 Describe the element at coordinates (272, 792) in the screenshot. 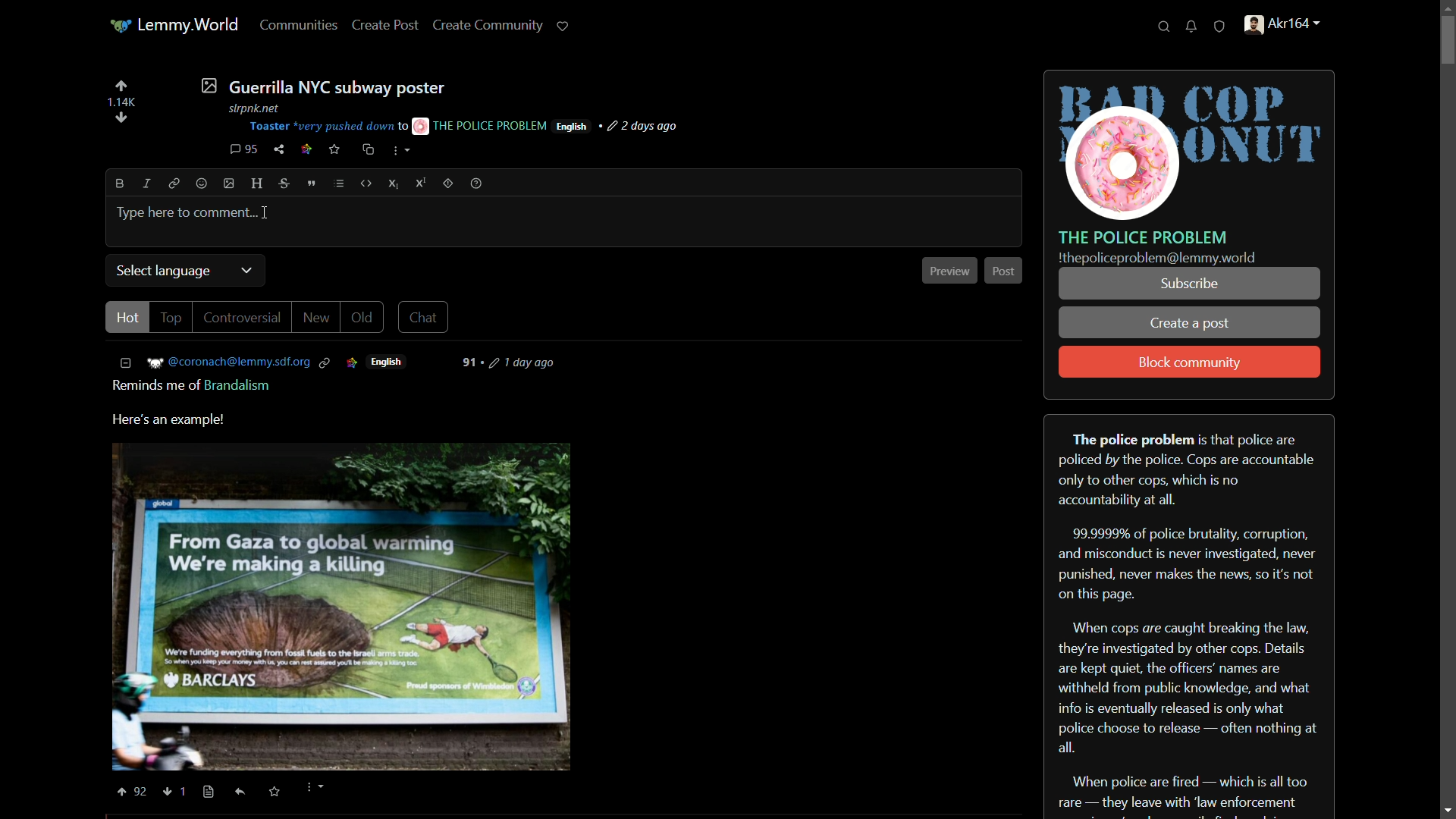

I see `saved` at that location.